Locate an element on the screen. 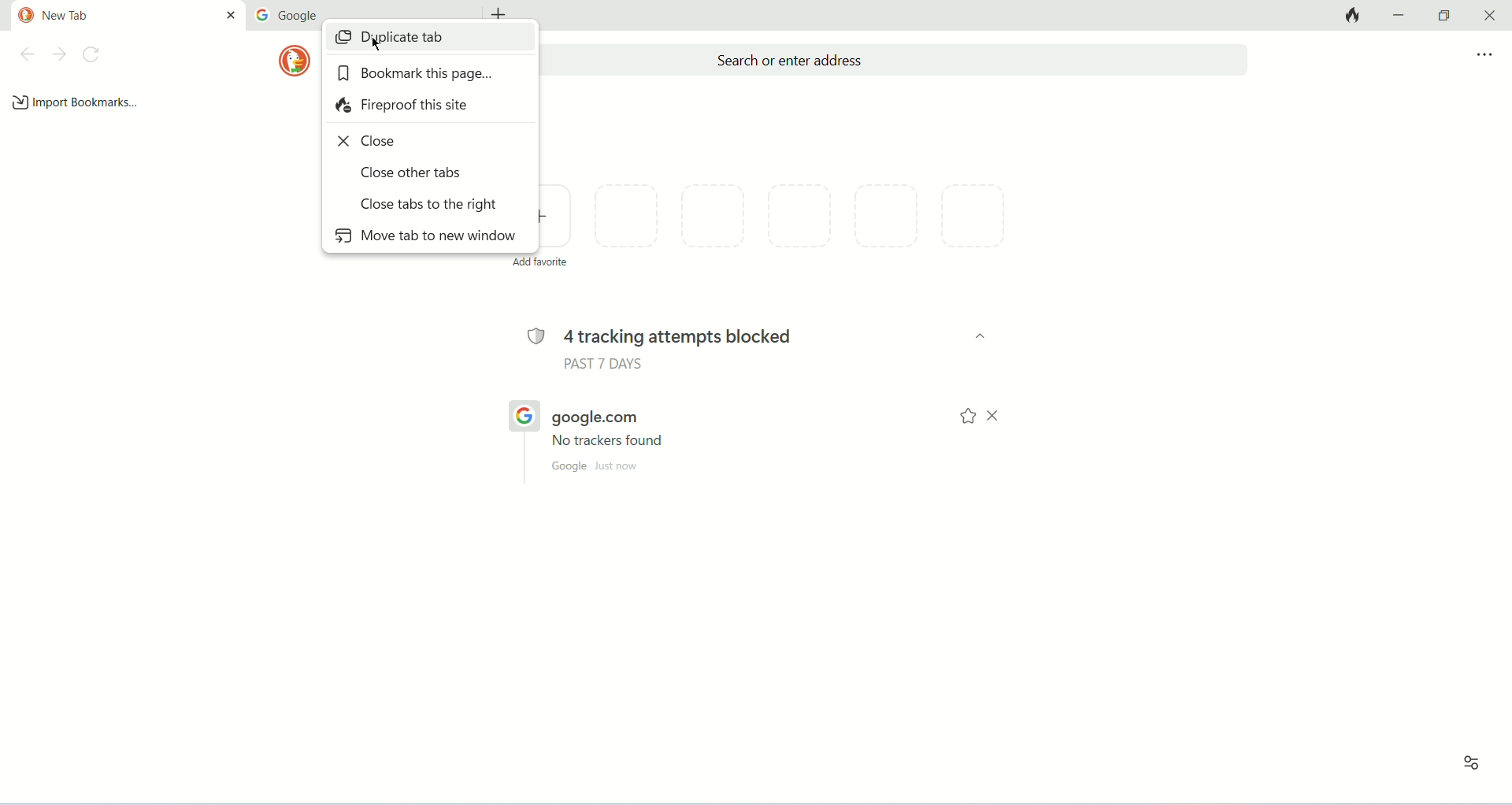 This screenshot has height=805, width=1512. refresh is located at coordinates (95, 57).